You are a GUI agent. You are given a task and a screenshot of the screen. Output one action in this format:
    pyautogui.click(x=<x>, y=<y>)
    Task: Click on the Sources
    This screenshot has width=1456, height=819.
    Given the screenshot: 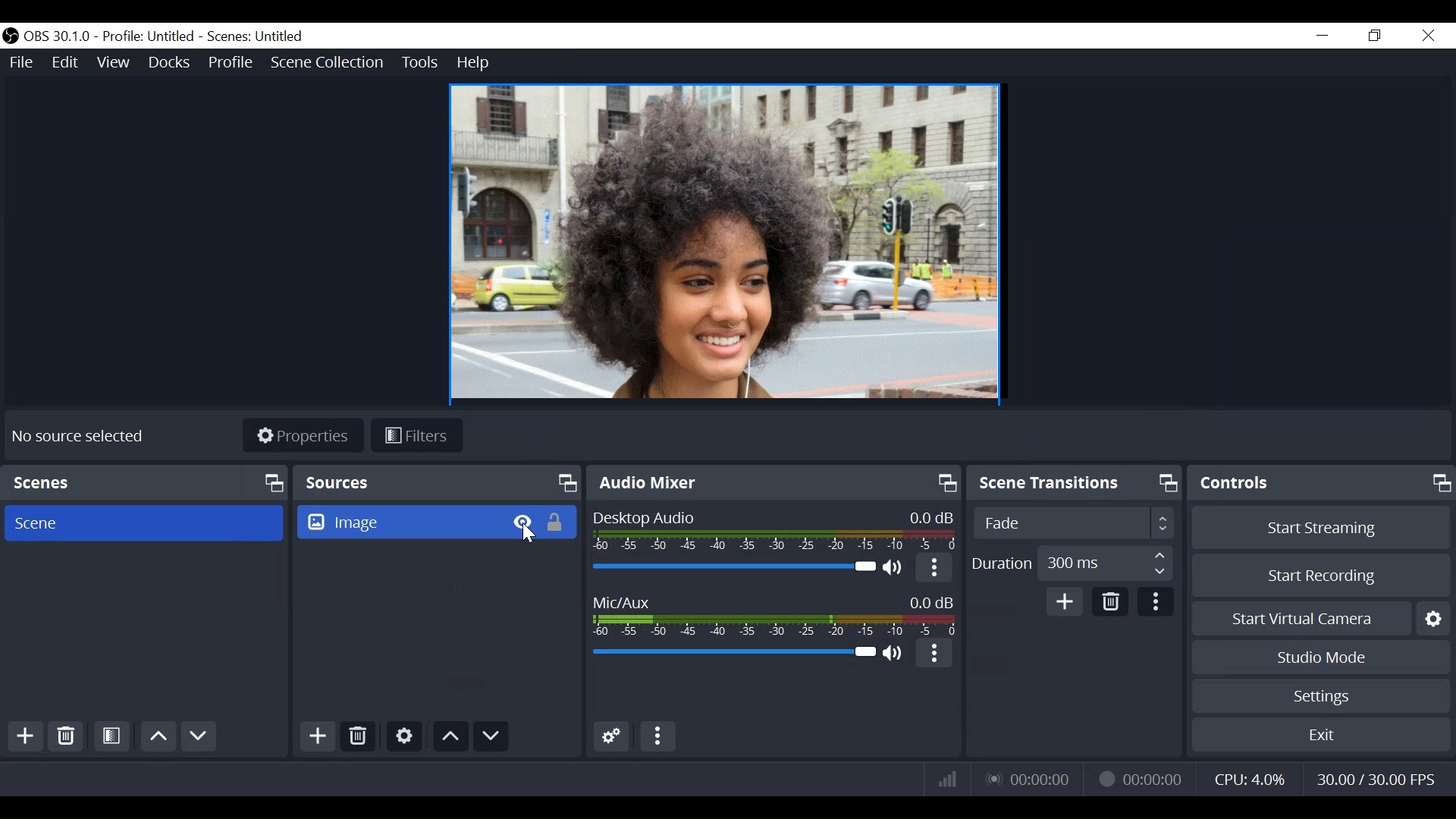 What is the action you would take?
    pyautogui.click(x=438, y=482)
    